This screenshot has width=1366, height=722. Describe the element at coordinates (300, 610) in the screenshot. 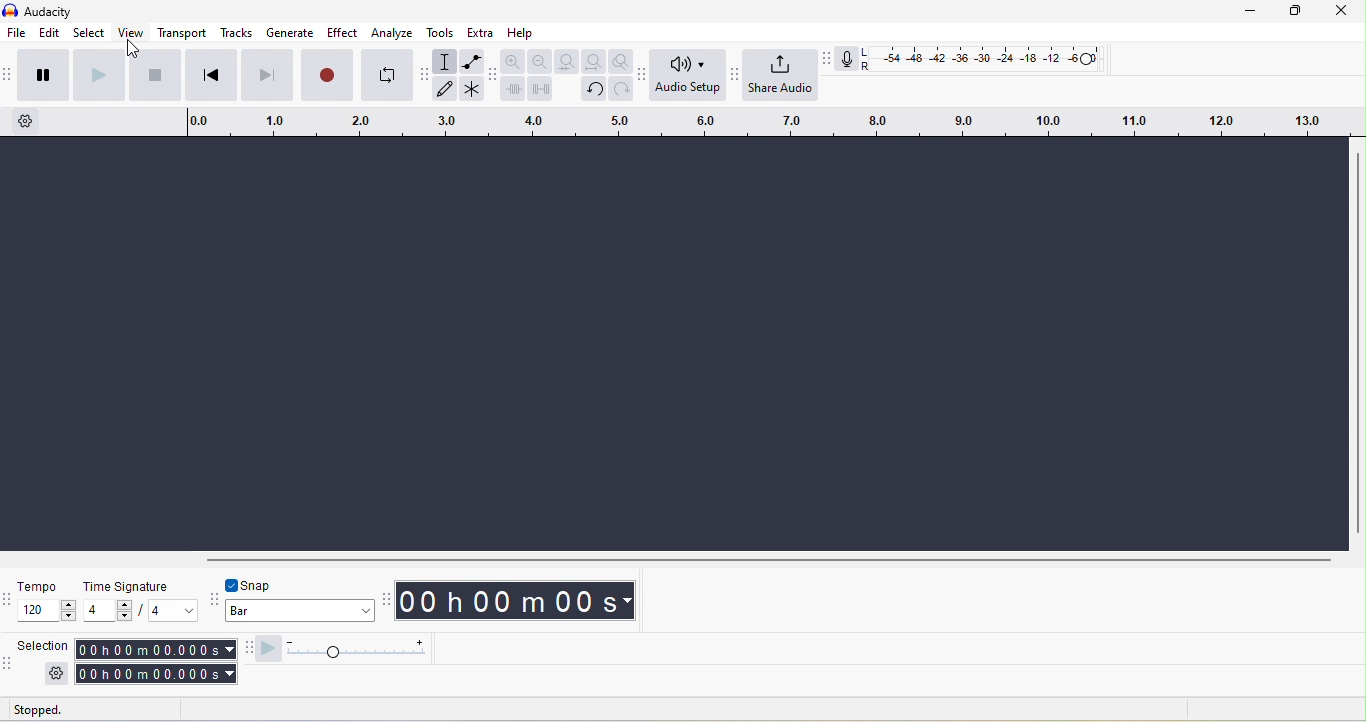

I see `select snapping` at that location.